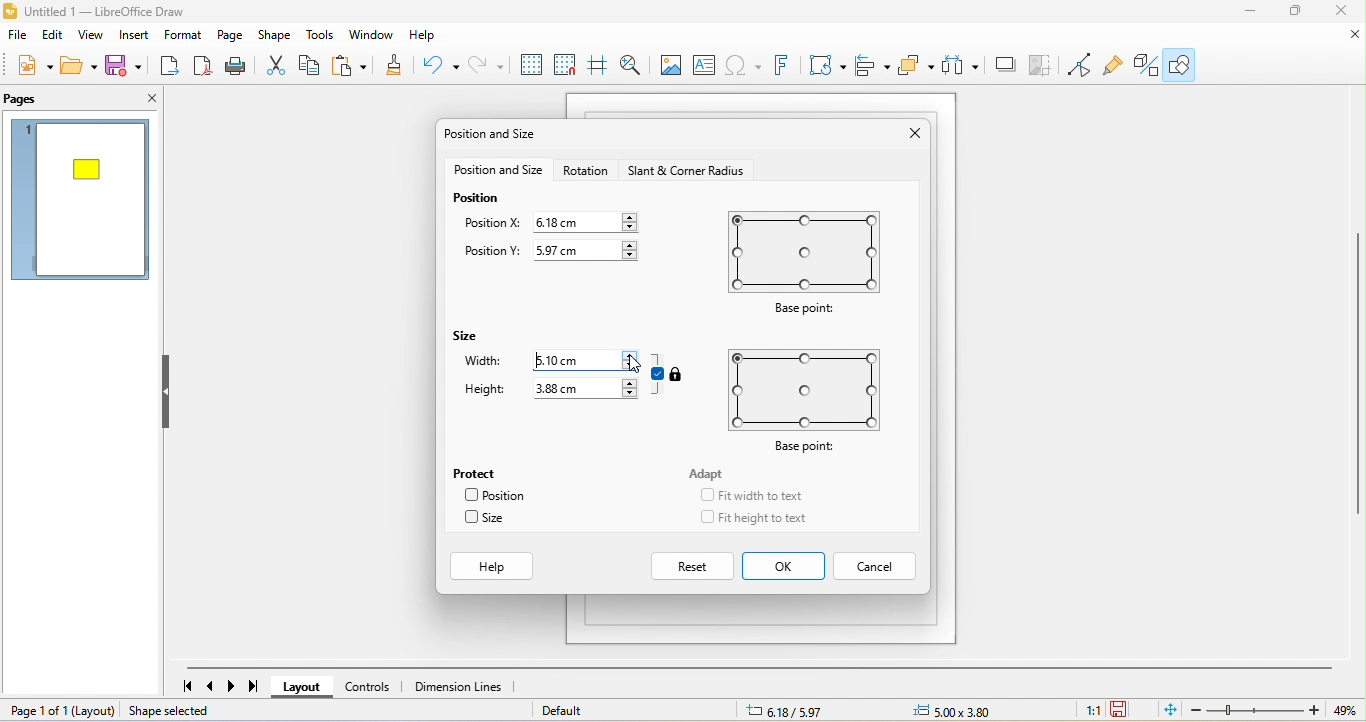 Image resolution: width=1366 pixels, height=722 pixels. I want to click on special character, so click(746, 66).